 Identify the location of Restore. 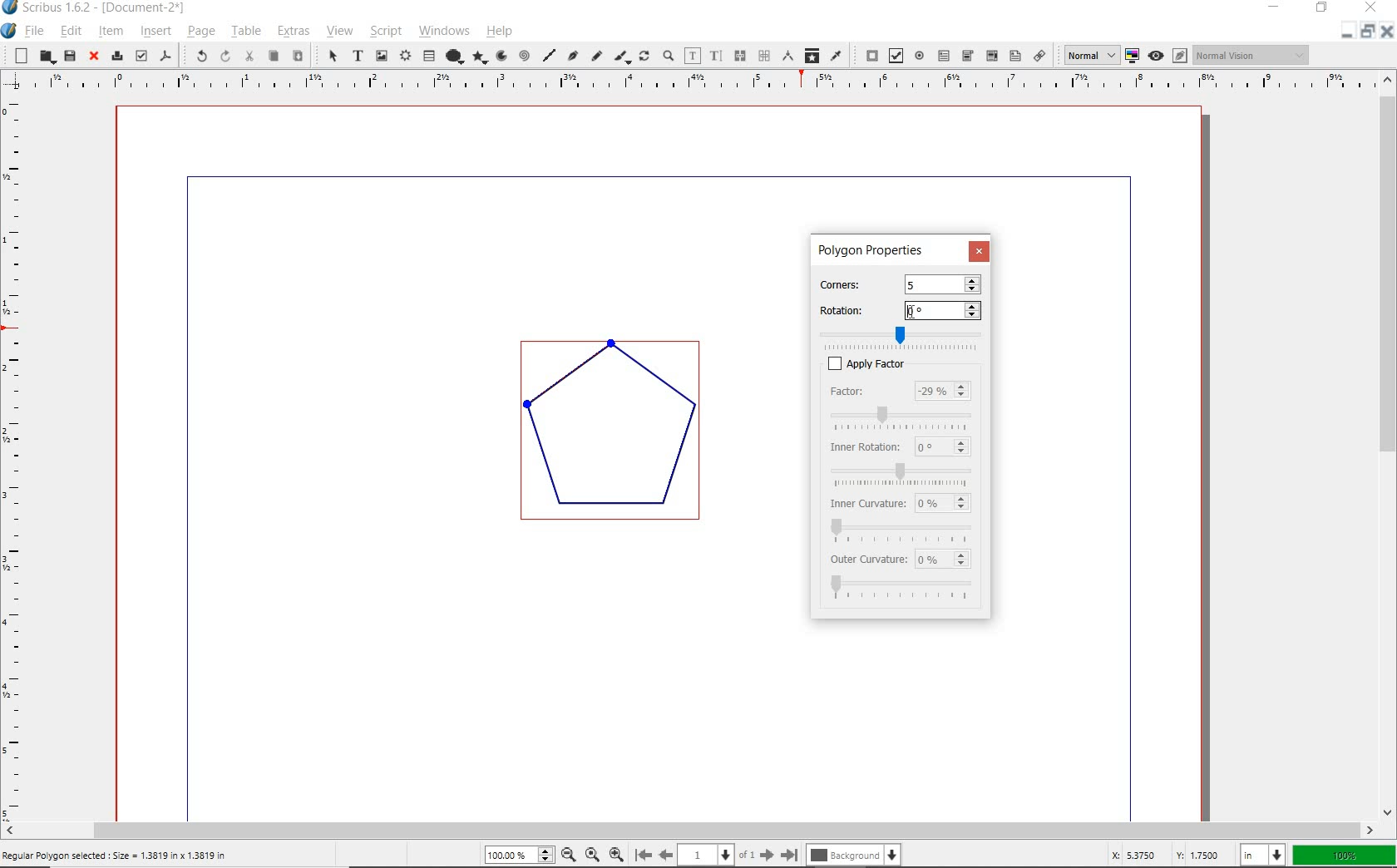
(1366, 33).